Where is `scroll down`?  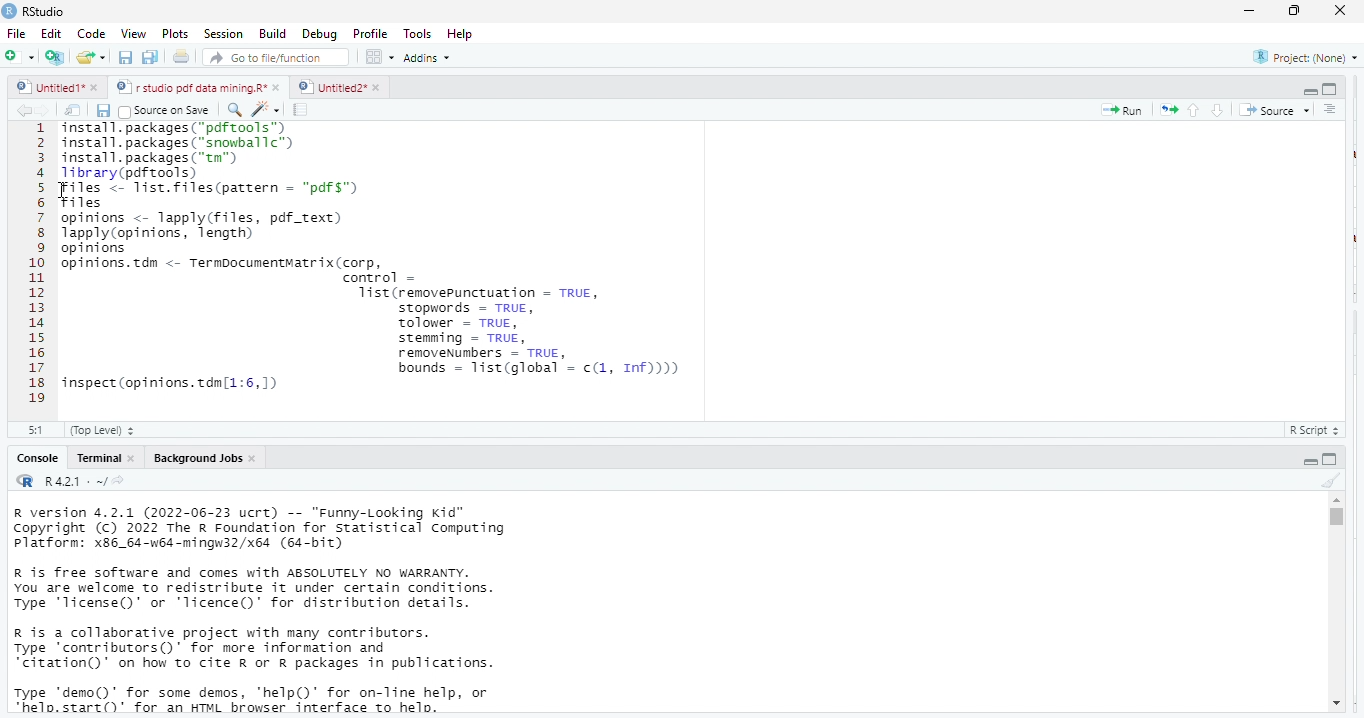 scroll down is located at coordinates (1335, 705).